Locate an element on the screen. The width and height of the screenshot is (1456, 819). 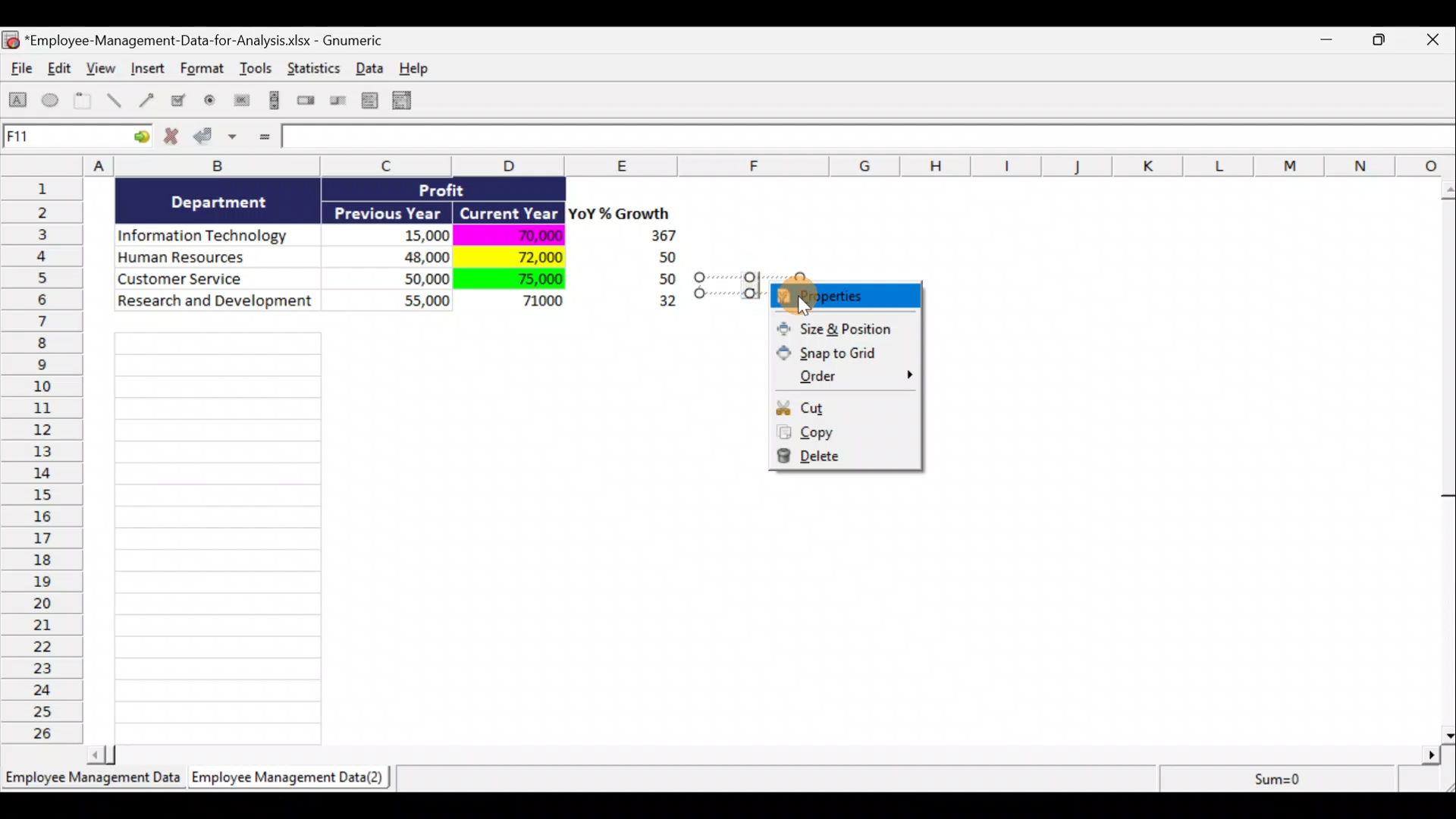
Maximise is located at coordinates (1387, 38).